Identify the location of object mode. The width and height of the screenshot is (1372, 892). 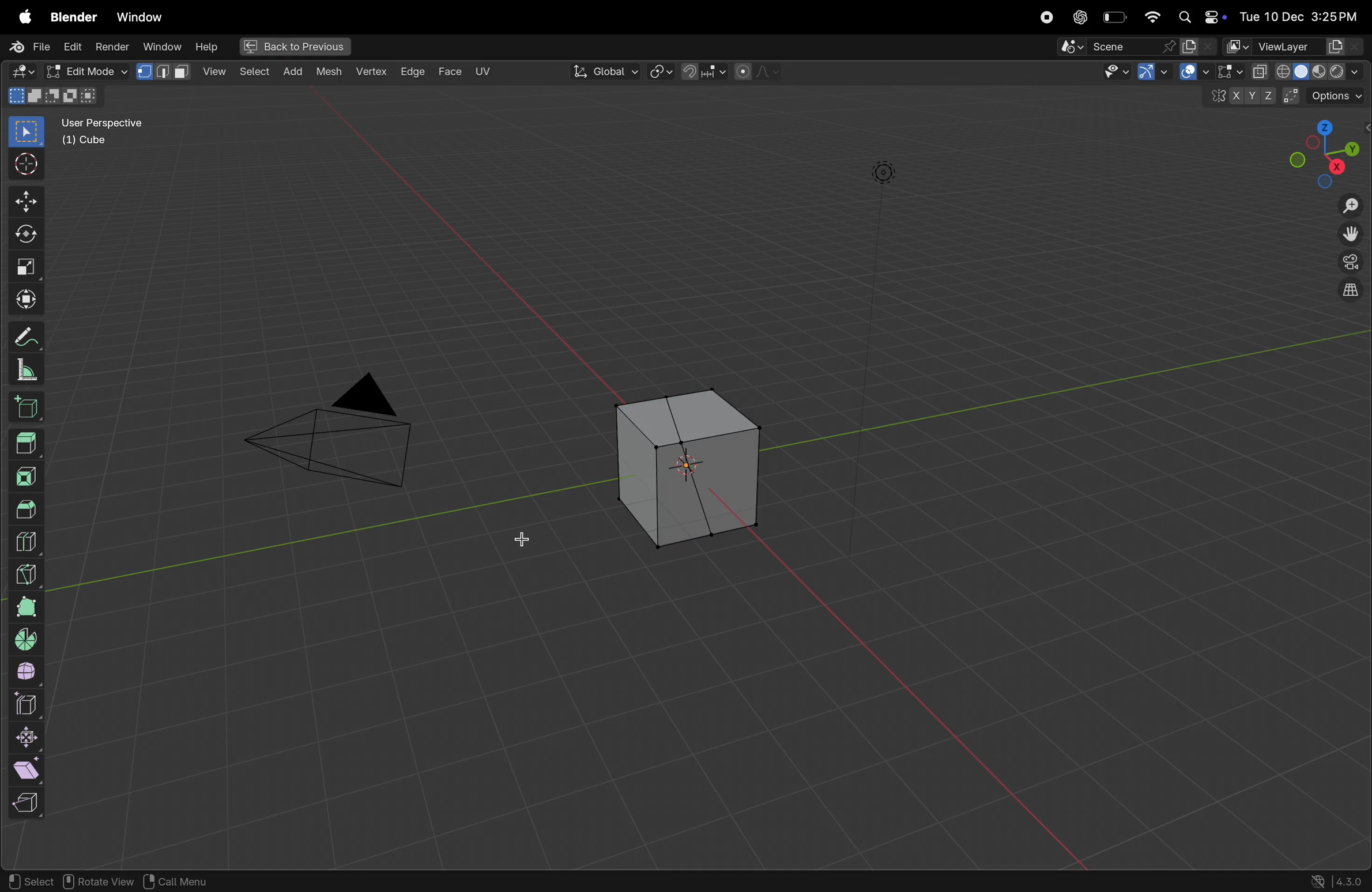
(84, 70).